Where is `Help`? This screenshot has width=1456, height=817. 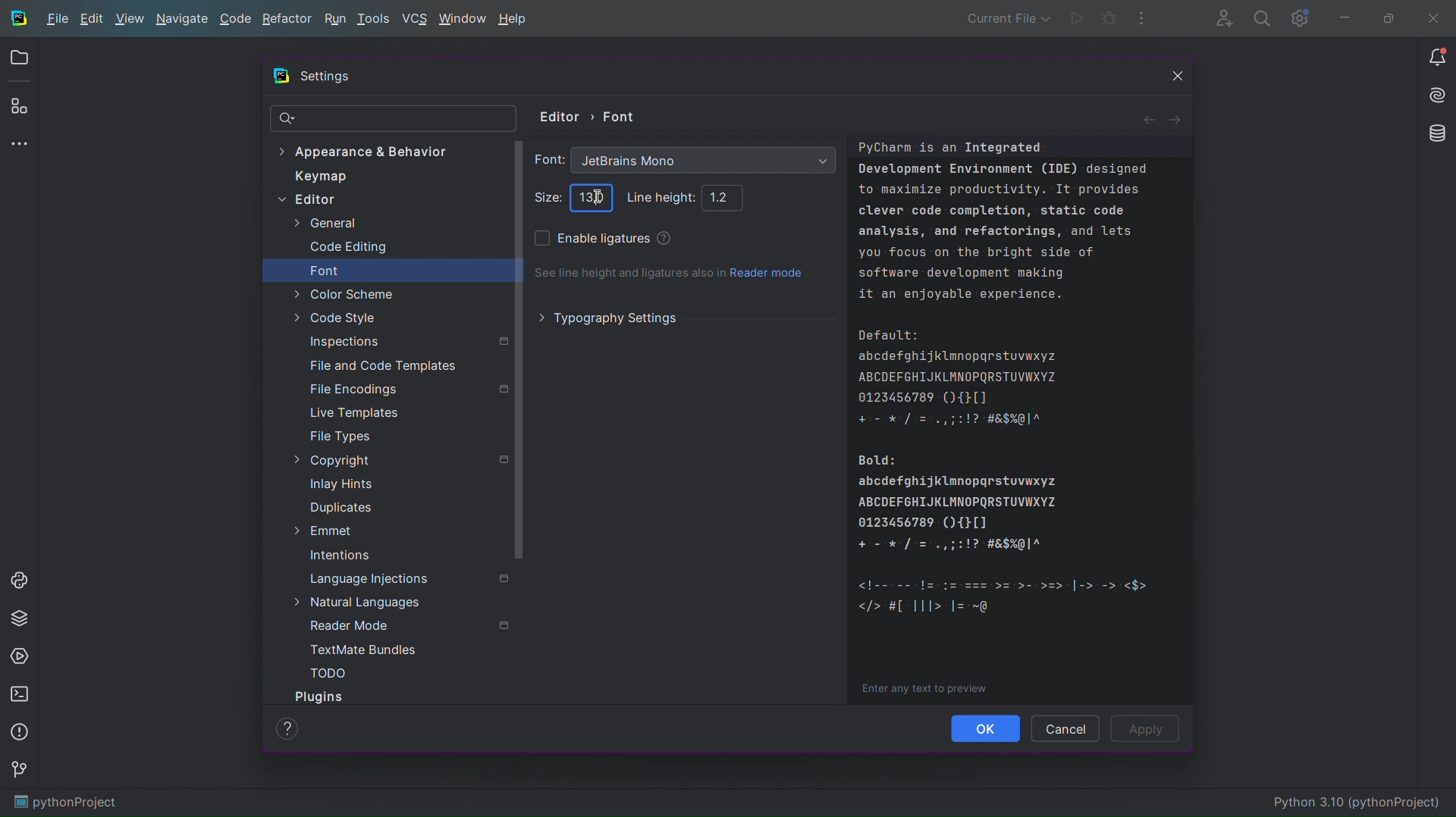 Help is located at coordinates (666, 239).